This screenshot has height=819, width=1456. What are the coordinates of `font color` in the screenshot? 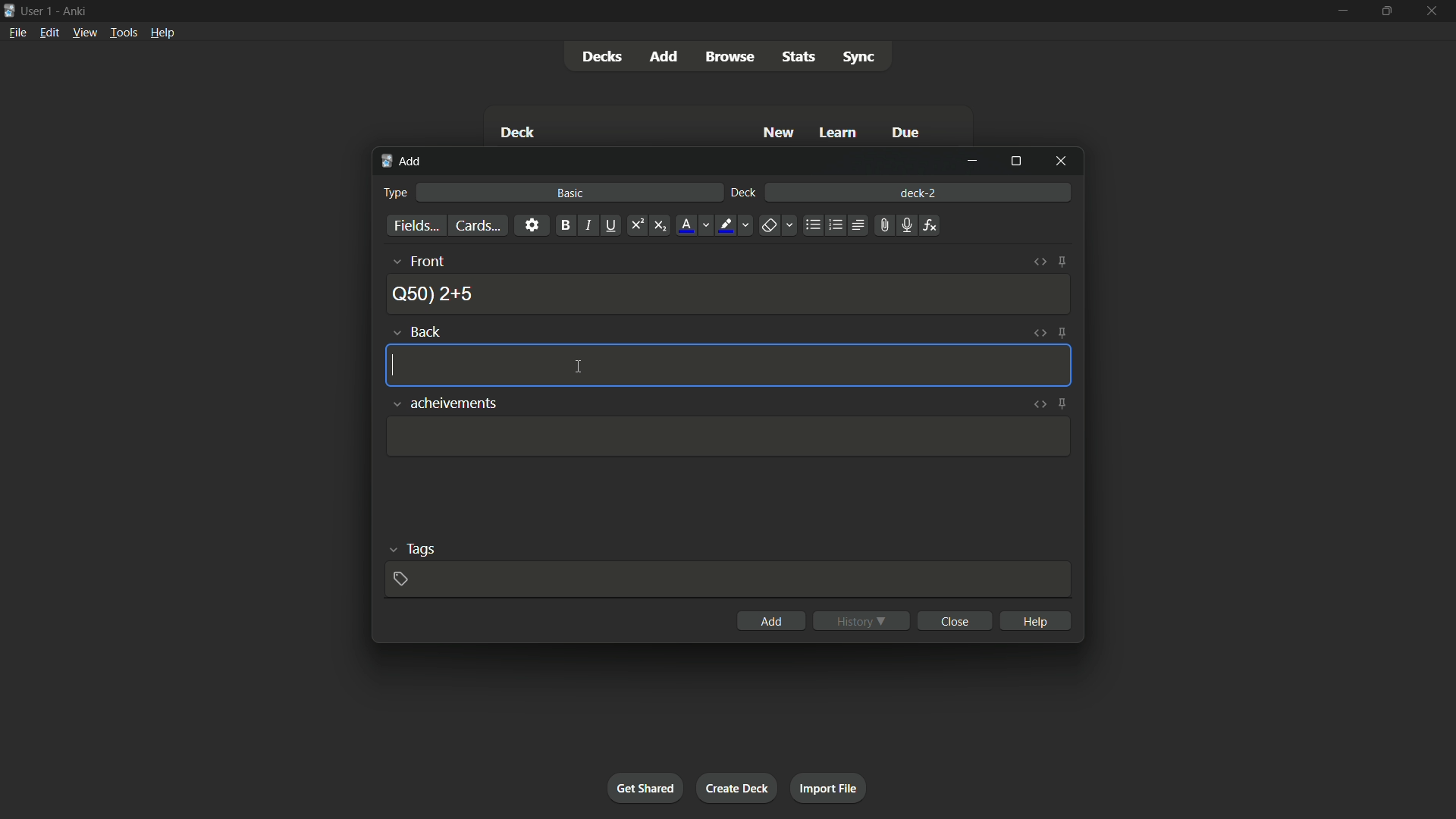 It's located at (695, 226).